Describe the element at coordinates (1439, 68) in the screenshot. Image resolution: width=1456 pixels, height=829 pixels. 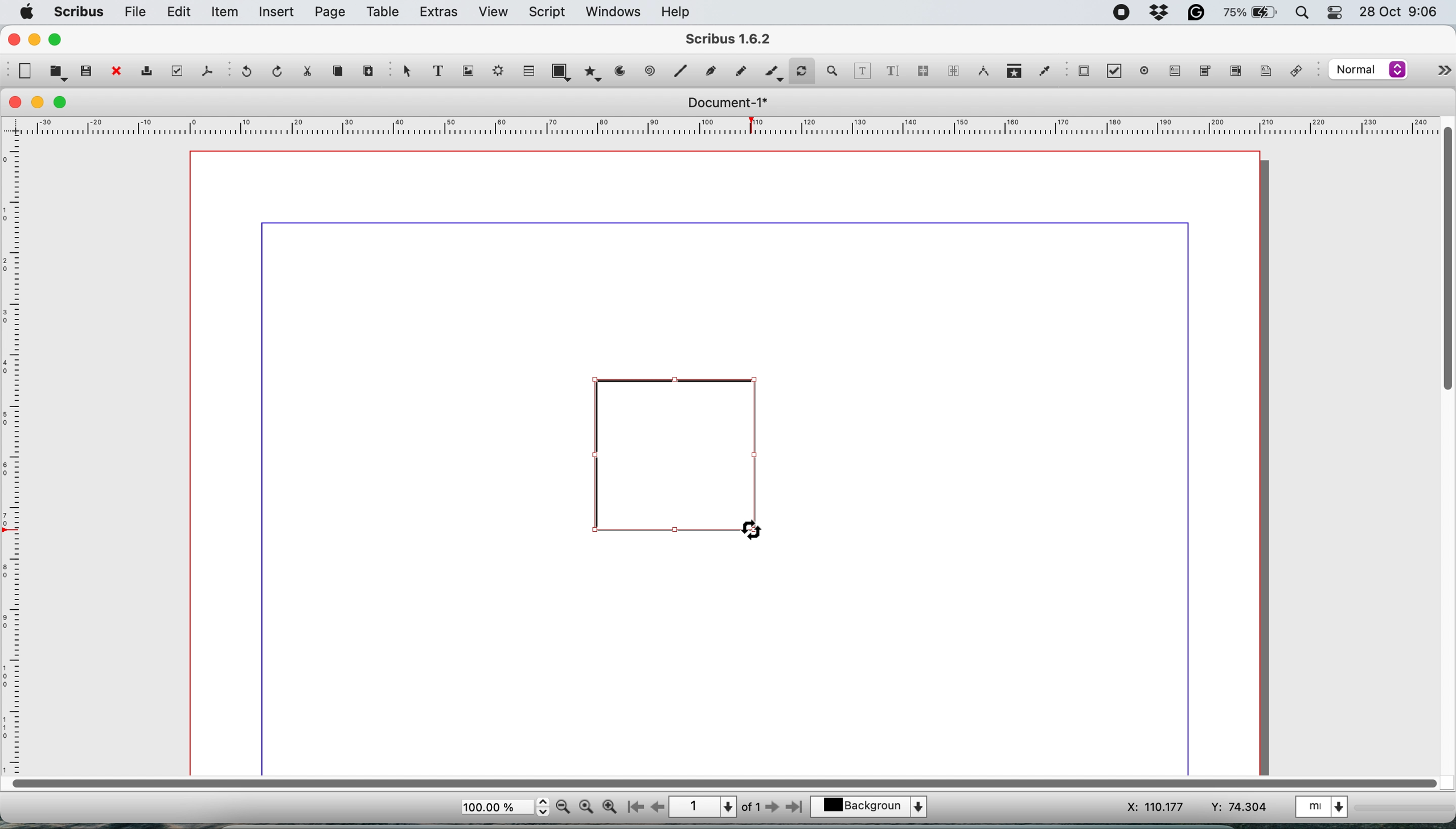
I see `more options` at that location.